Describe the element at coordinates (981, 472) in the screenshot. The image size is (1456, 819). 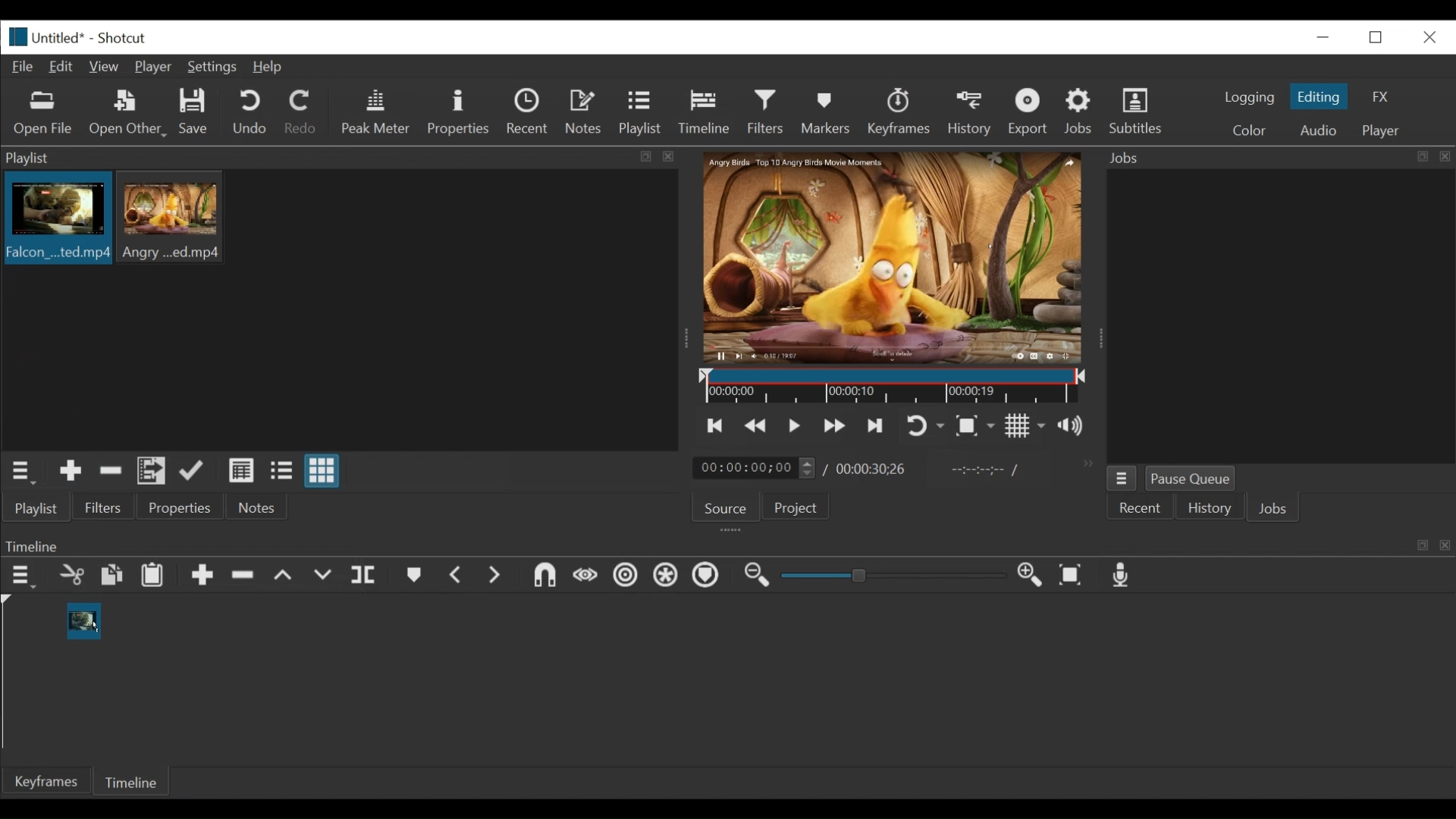
I see `in point` at that location.